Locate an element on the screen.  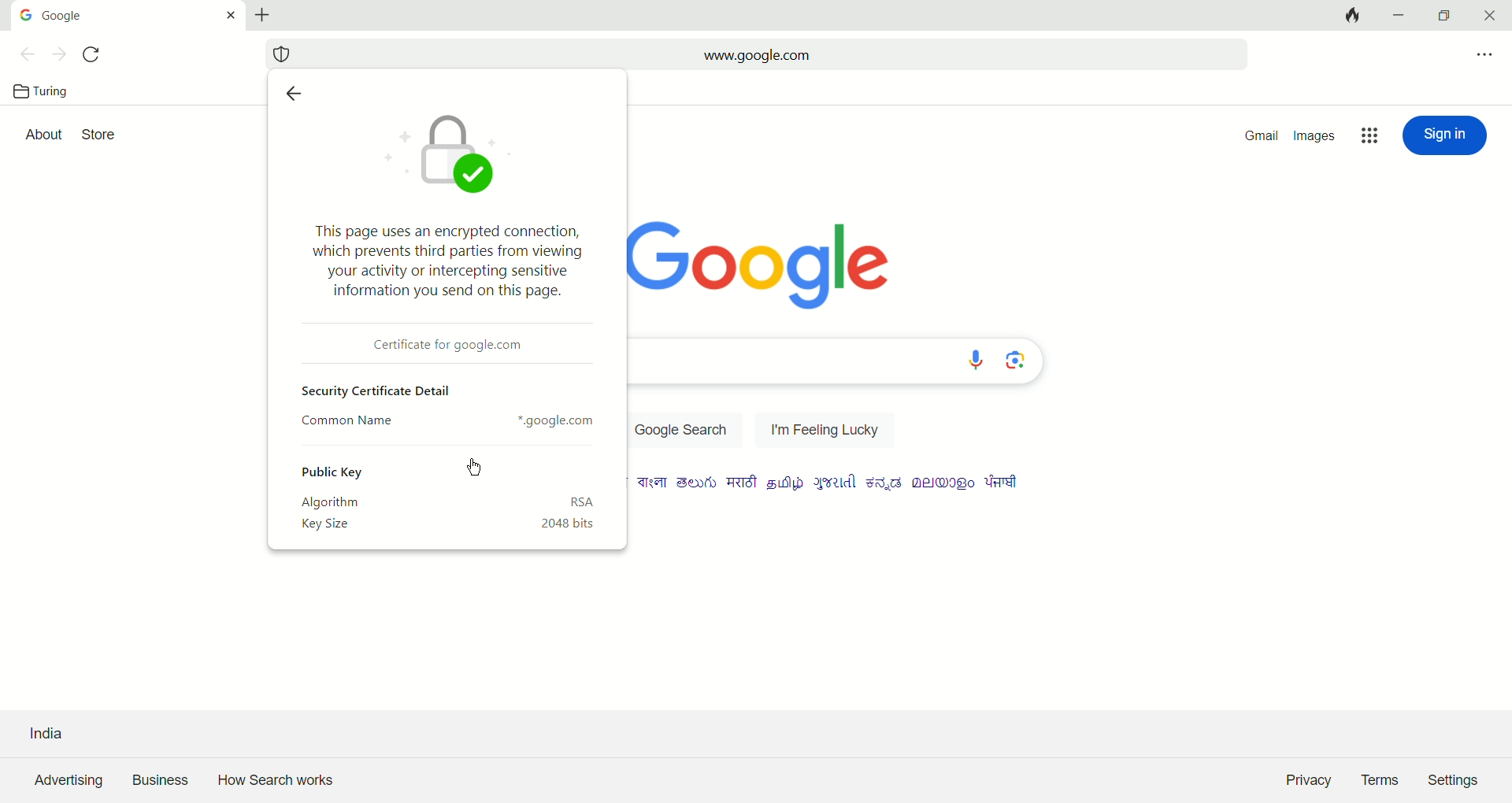
Common Name *.google.com is located at coordinates (441, 421).